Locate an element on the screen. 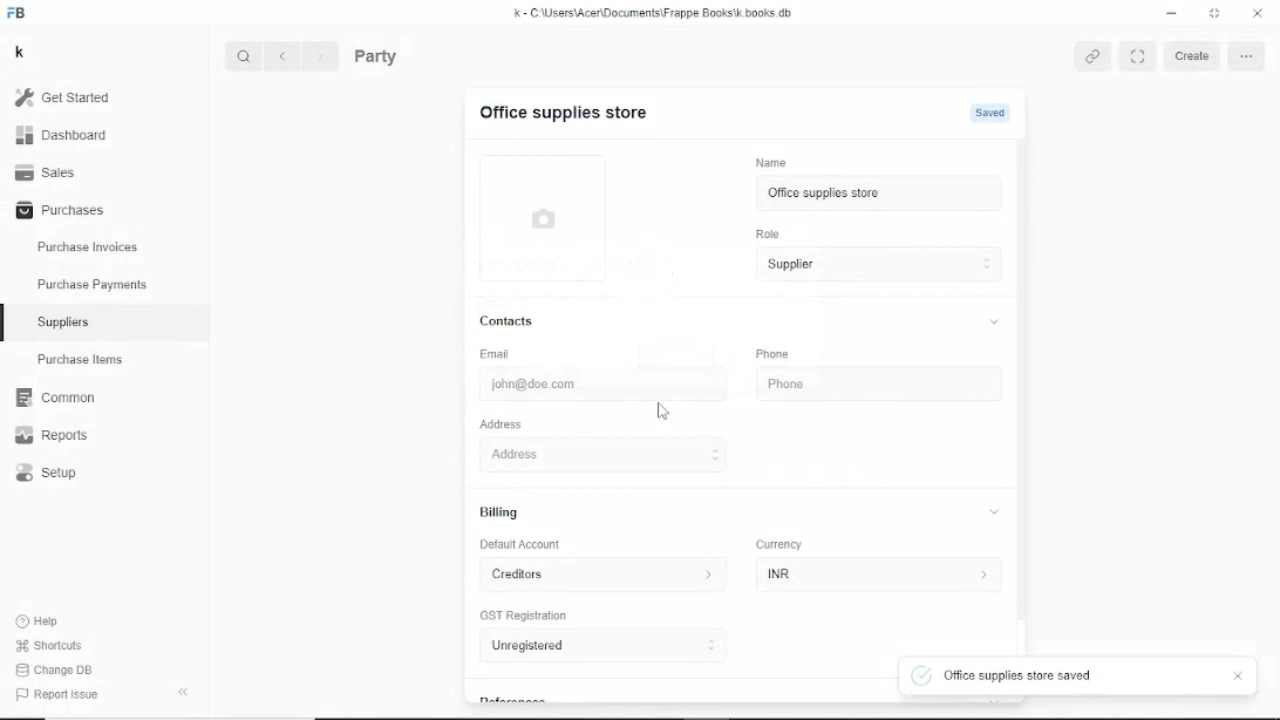 This screenshot has width=1280, height=720. Close is located at coordinates (1257, 13).